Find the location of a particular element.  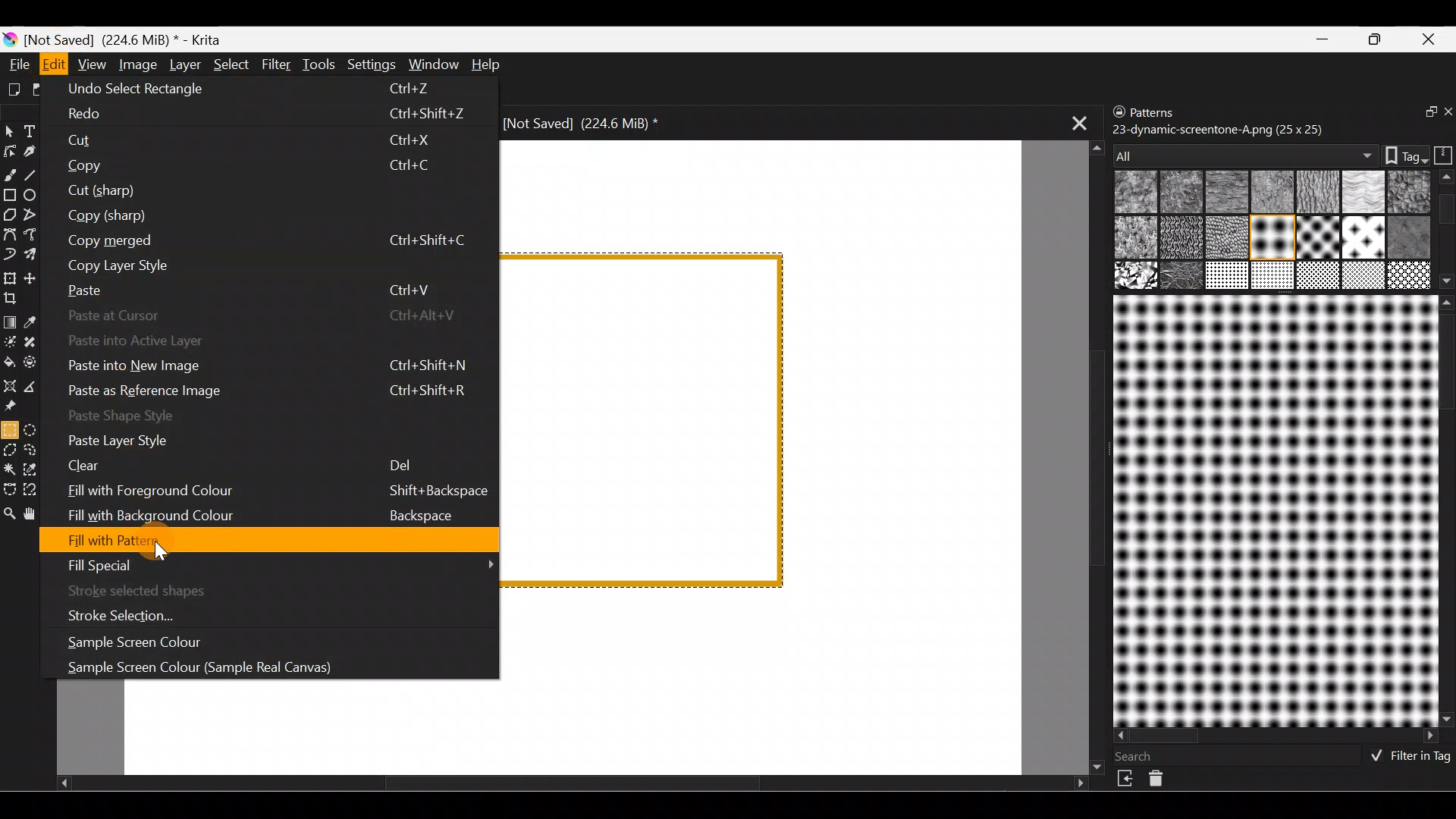

Enclose & fill tool is located at coordinates (38, 362).